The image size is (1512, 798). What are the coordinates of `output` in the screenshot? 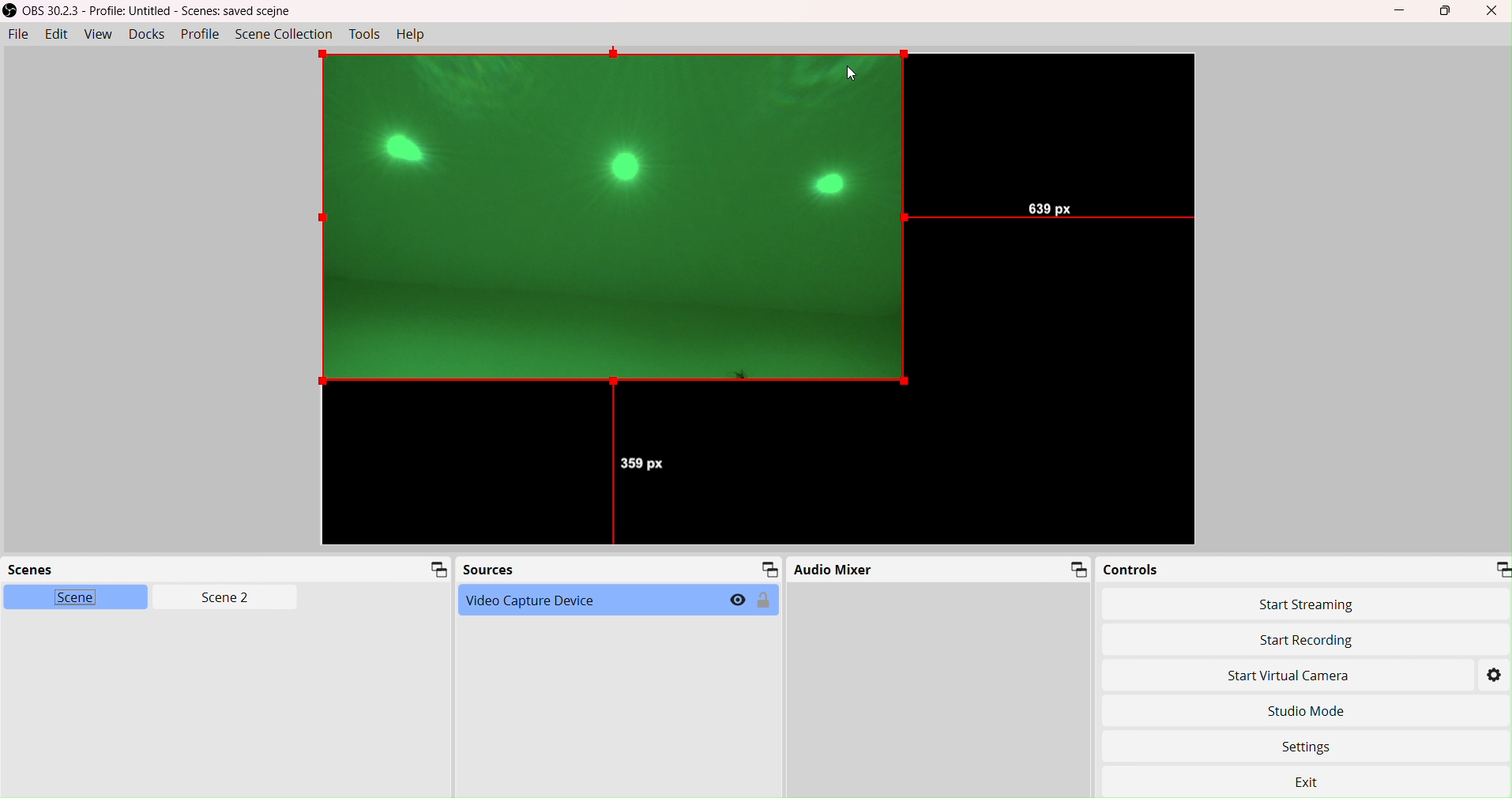 It's located at (615, 220).